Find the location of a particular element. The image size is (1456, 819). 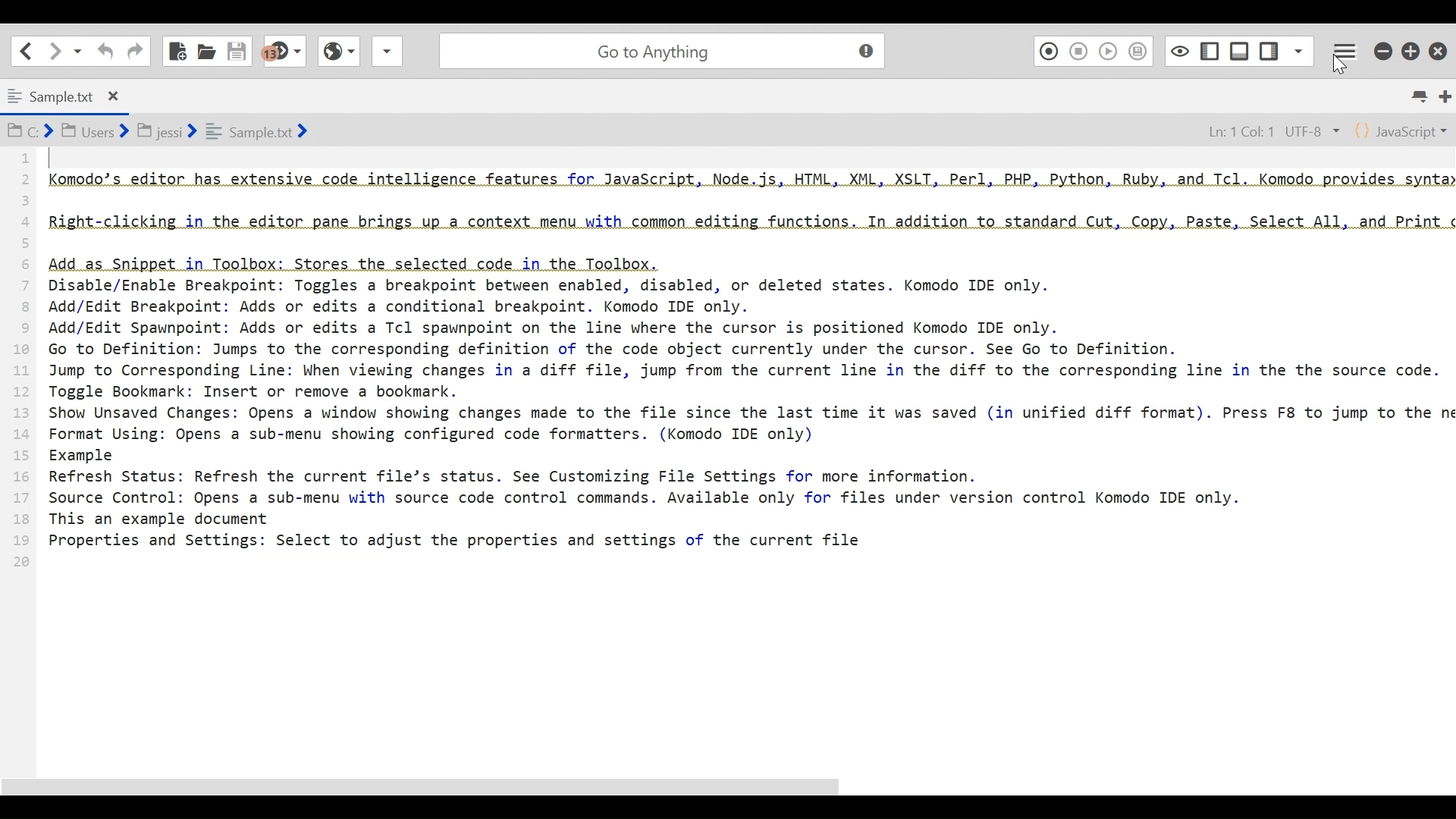

Close is located at coordinates (1440, 47).